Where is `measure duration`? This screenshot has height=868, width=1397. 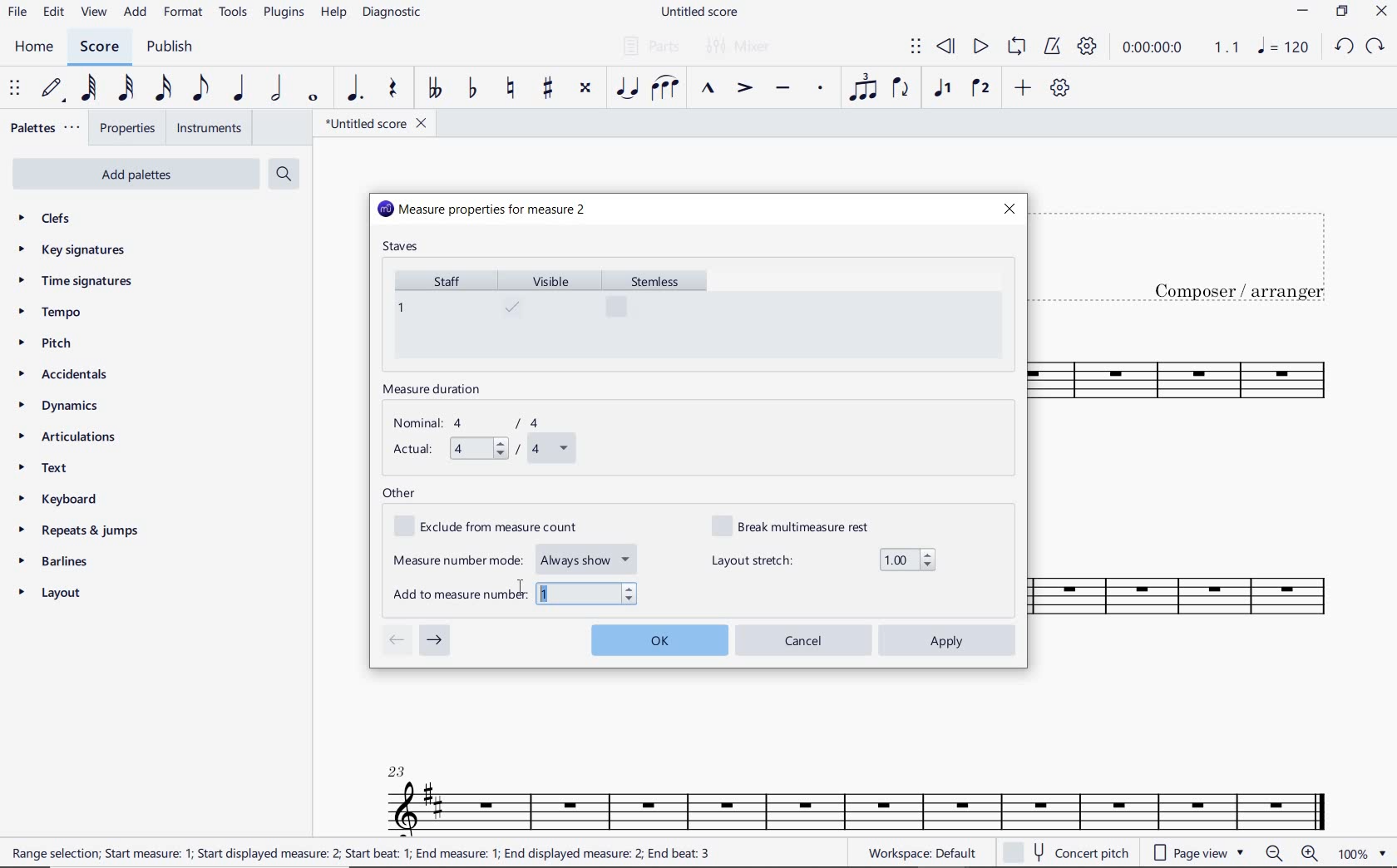 measure duration is located at coordinates (437, 391).